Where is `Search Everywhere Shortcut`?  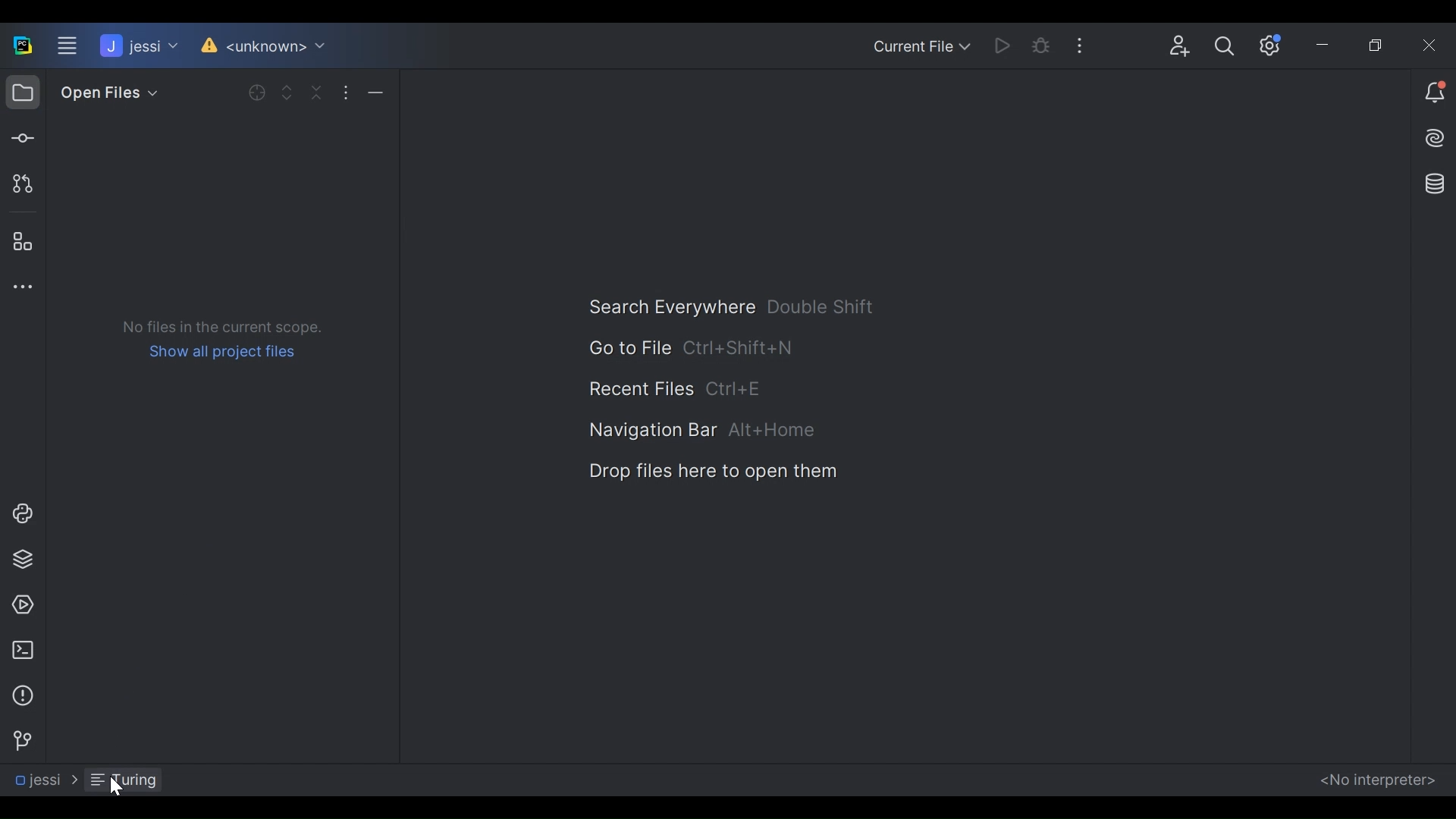 Search Everywhere Shortcut is located at coordinates (732, 306).